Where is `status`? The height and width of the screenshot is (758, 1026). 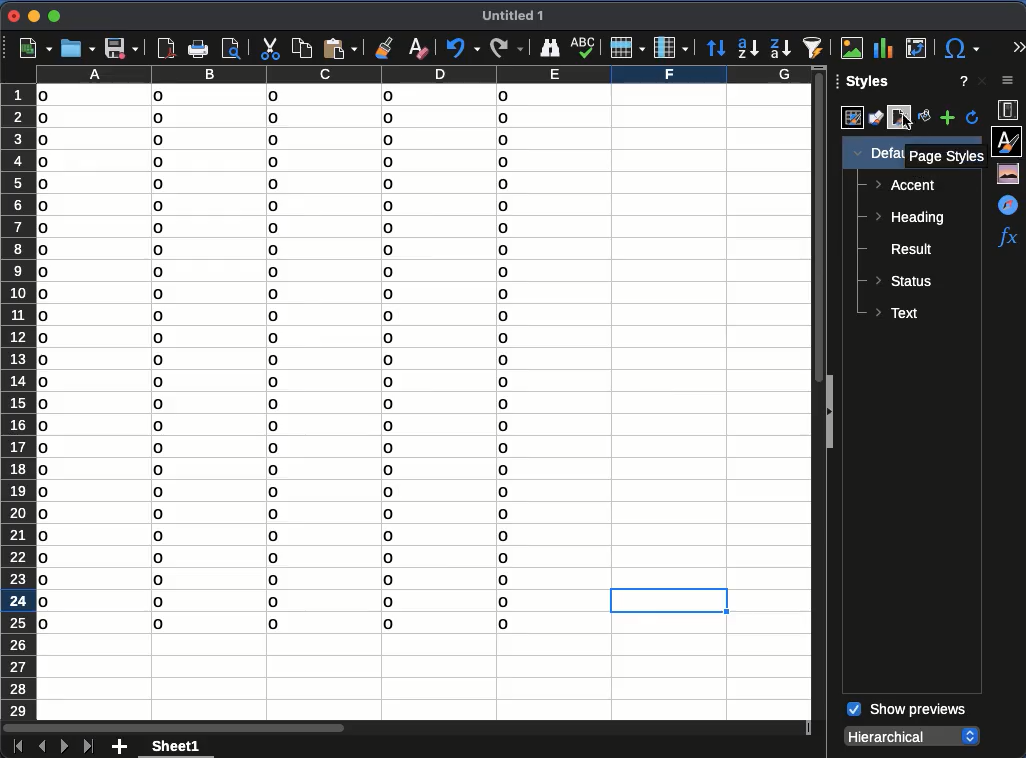
status is located at coordinates (905, 281).